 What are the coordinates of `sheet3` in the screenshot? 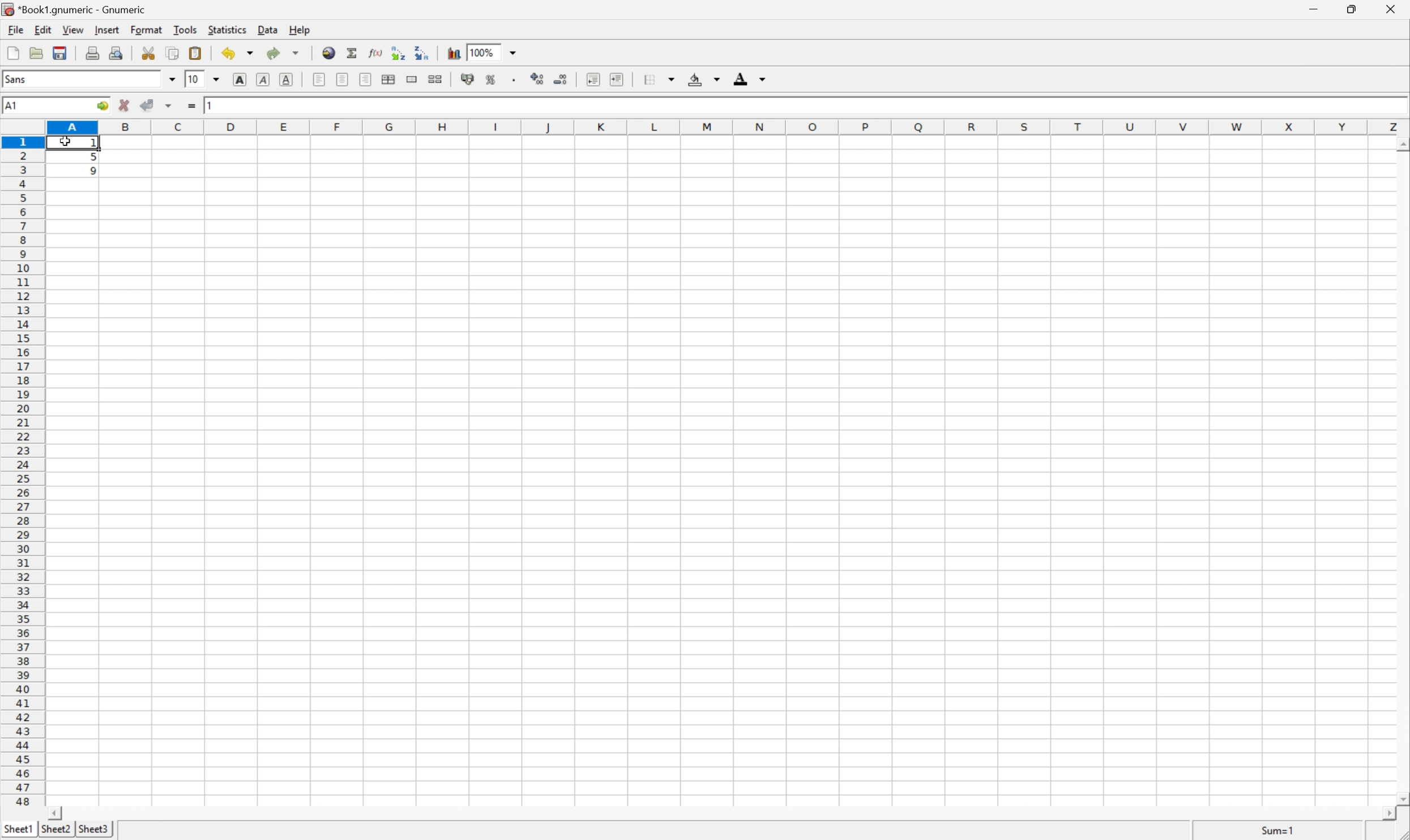 It's located at (93, 830).